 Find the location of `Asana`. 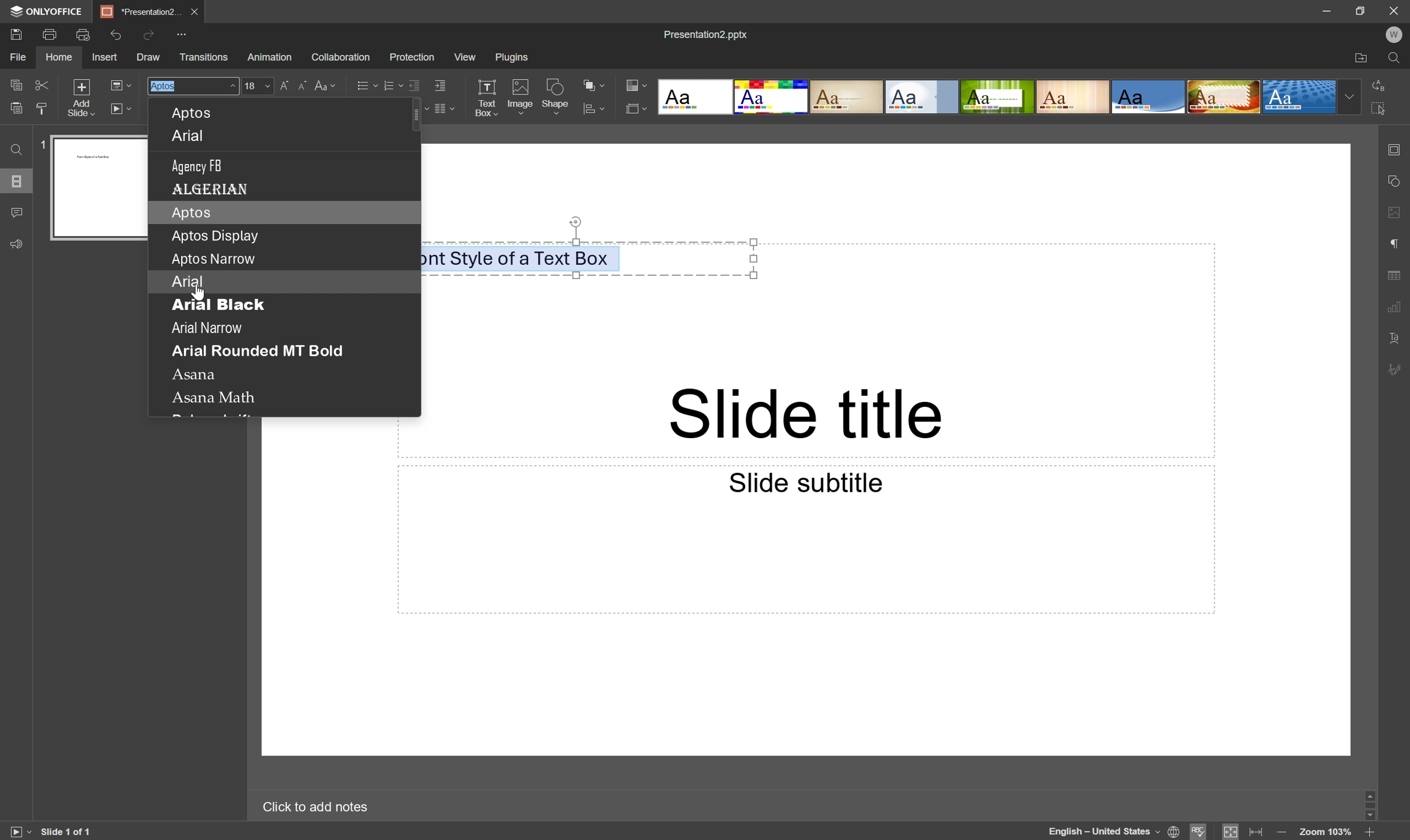

Asana is located at coordinates (195, 373).